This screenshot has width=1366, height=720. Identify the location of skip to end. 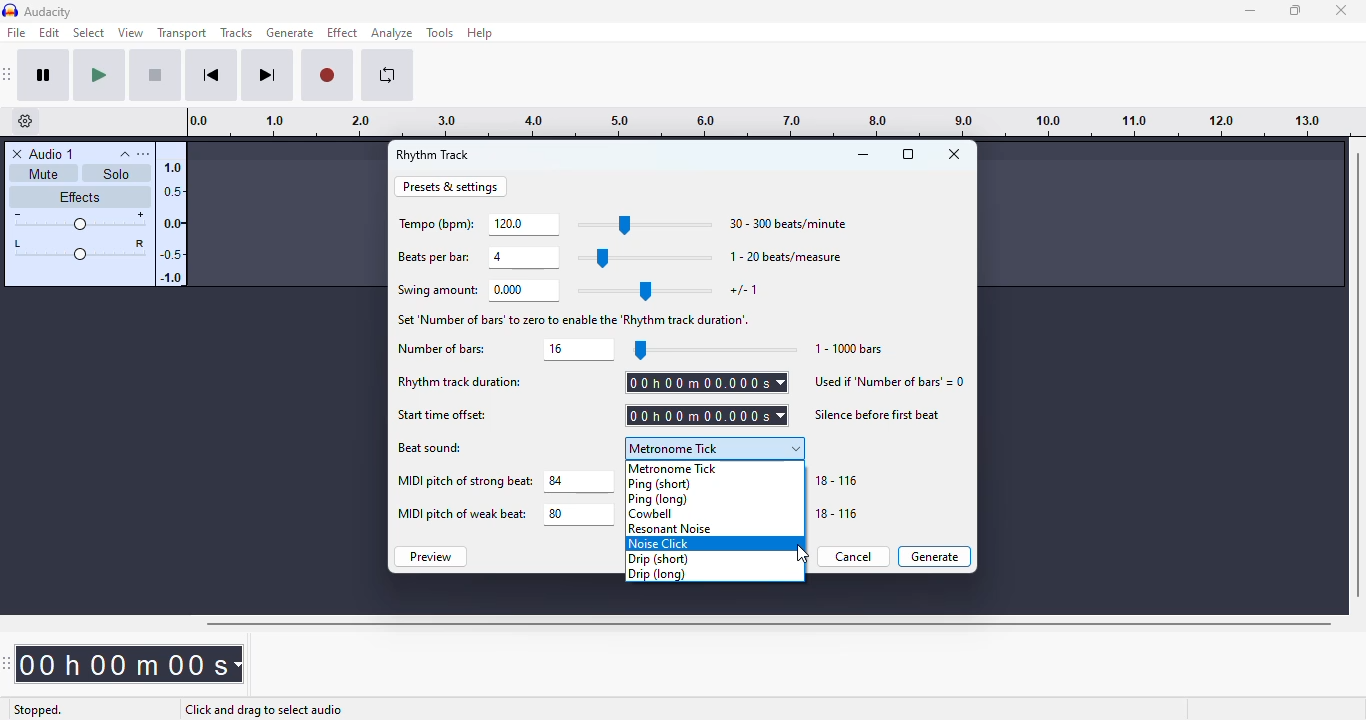
(267, 76).